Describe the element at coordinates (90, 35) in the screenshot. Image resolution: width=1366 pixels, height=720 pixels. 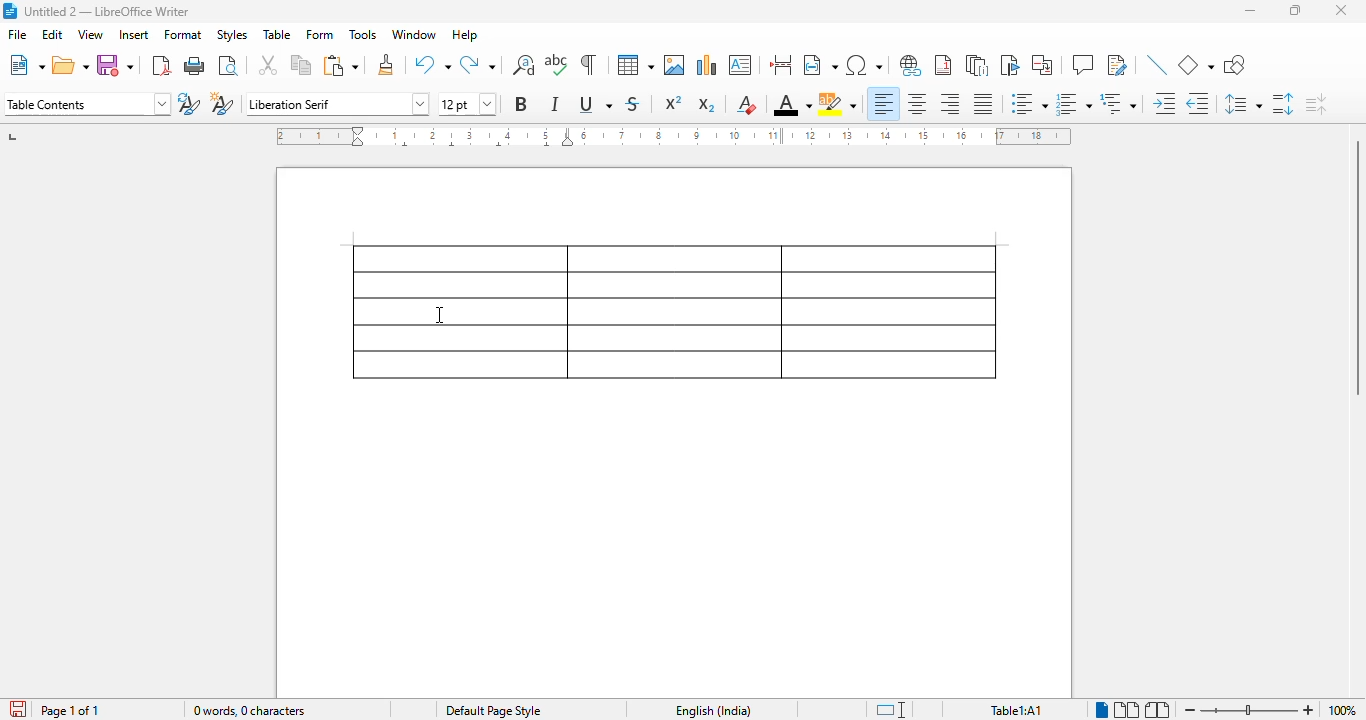
I see `view` at that location.